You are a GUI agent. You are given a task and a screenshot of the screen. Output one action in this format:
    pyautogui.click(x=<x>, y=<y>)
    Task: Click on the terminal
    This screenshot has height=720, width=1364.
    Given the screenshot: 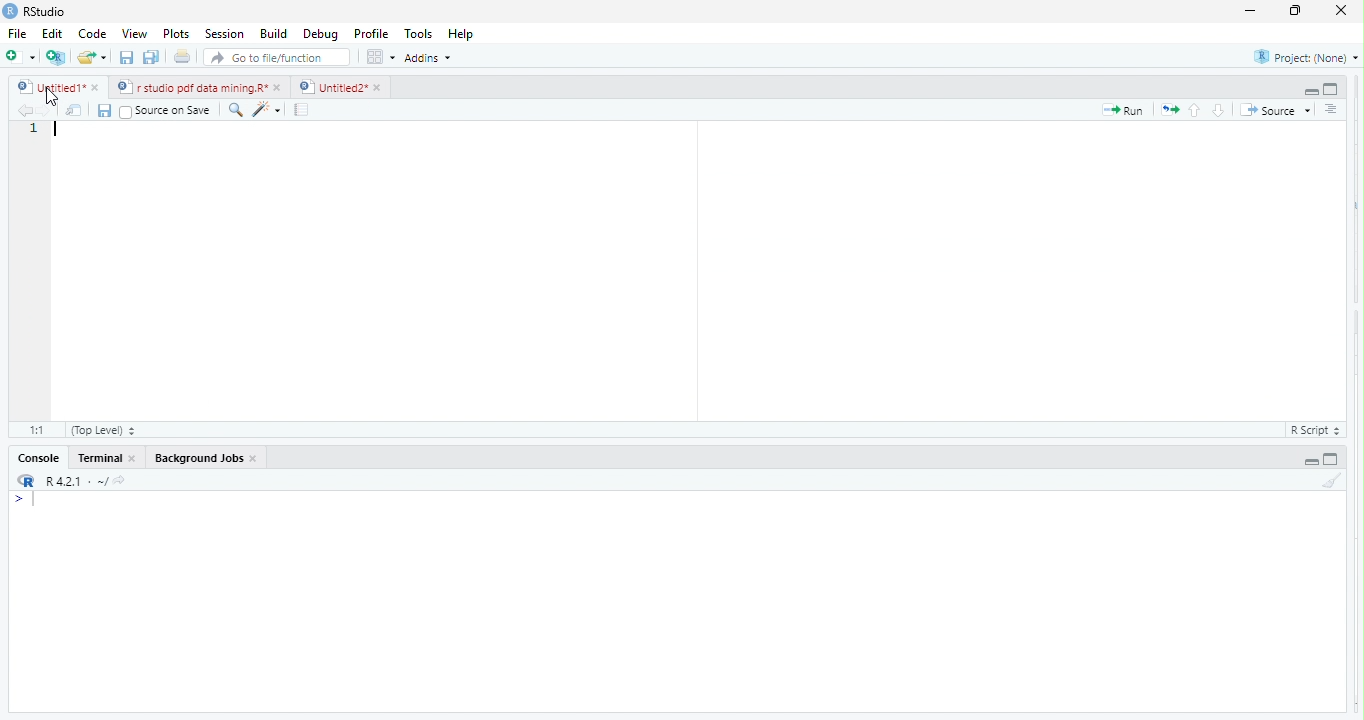 What is the action you would take?
    pyautogui.click(x=102, y=458)
    